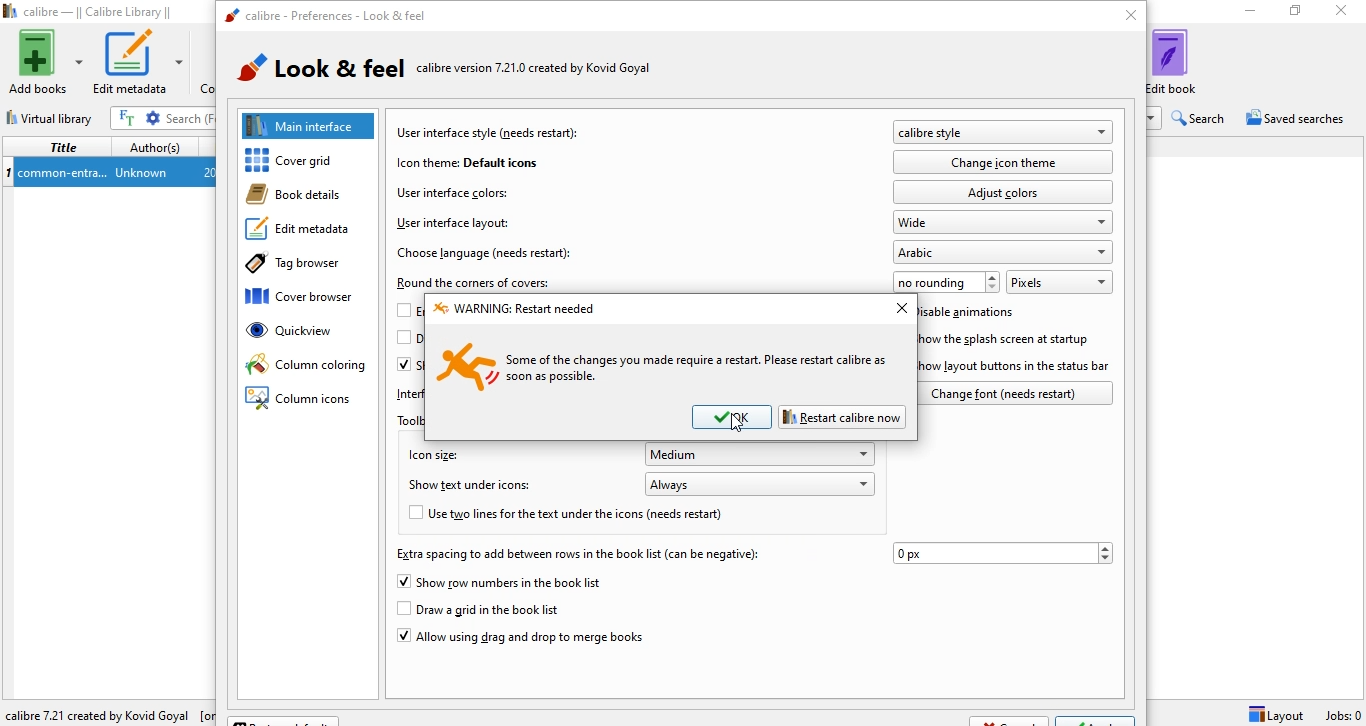 The width and height of the screenshot is (1366, 726). Describe the element at coordinates (407, 366) in the screenshot. I see `show tooltips in the book list` at that location.